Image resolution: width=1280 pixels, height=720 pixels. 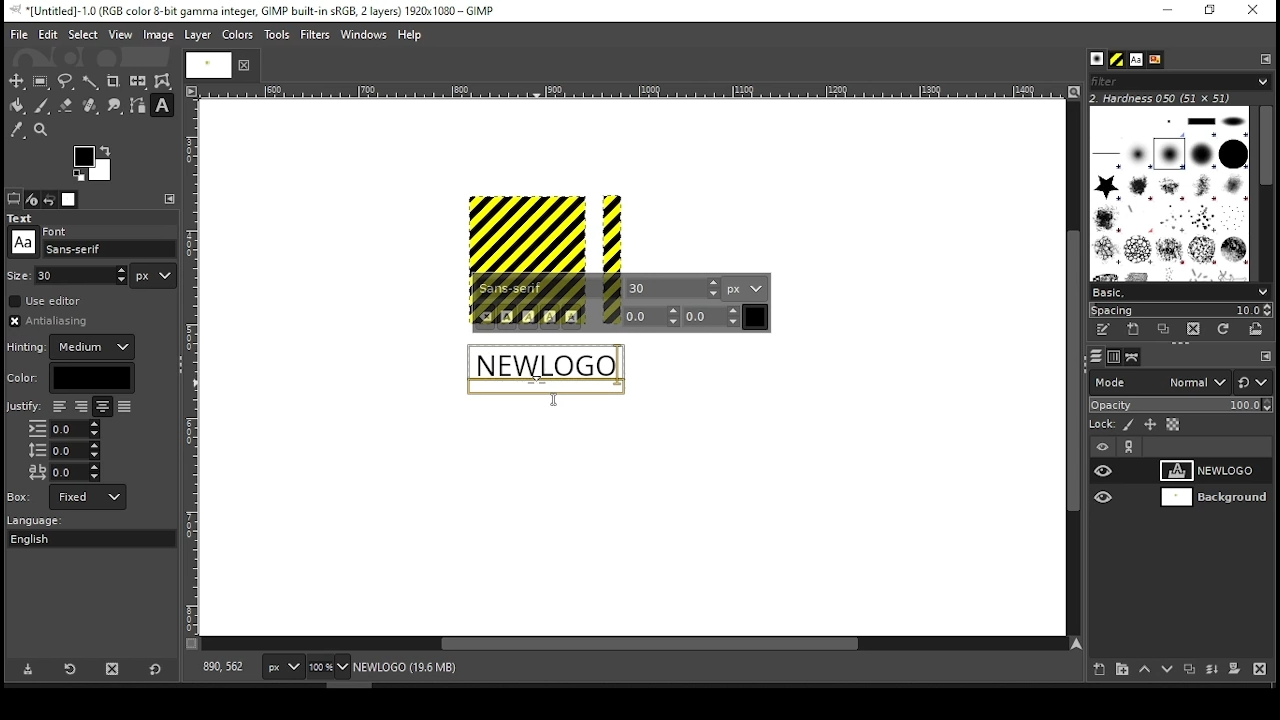 I want to click on opacity, so click(x=1179, y=407).